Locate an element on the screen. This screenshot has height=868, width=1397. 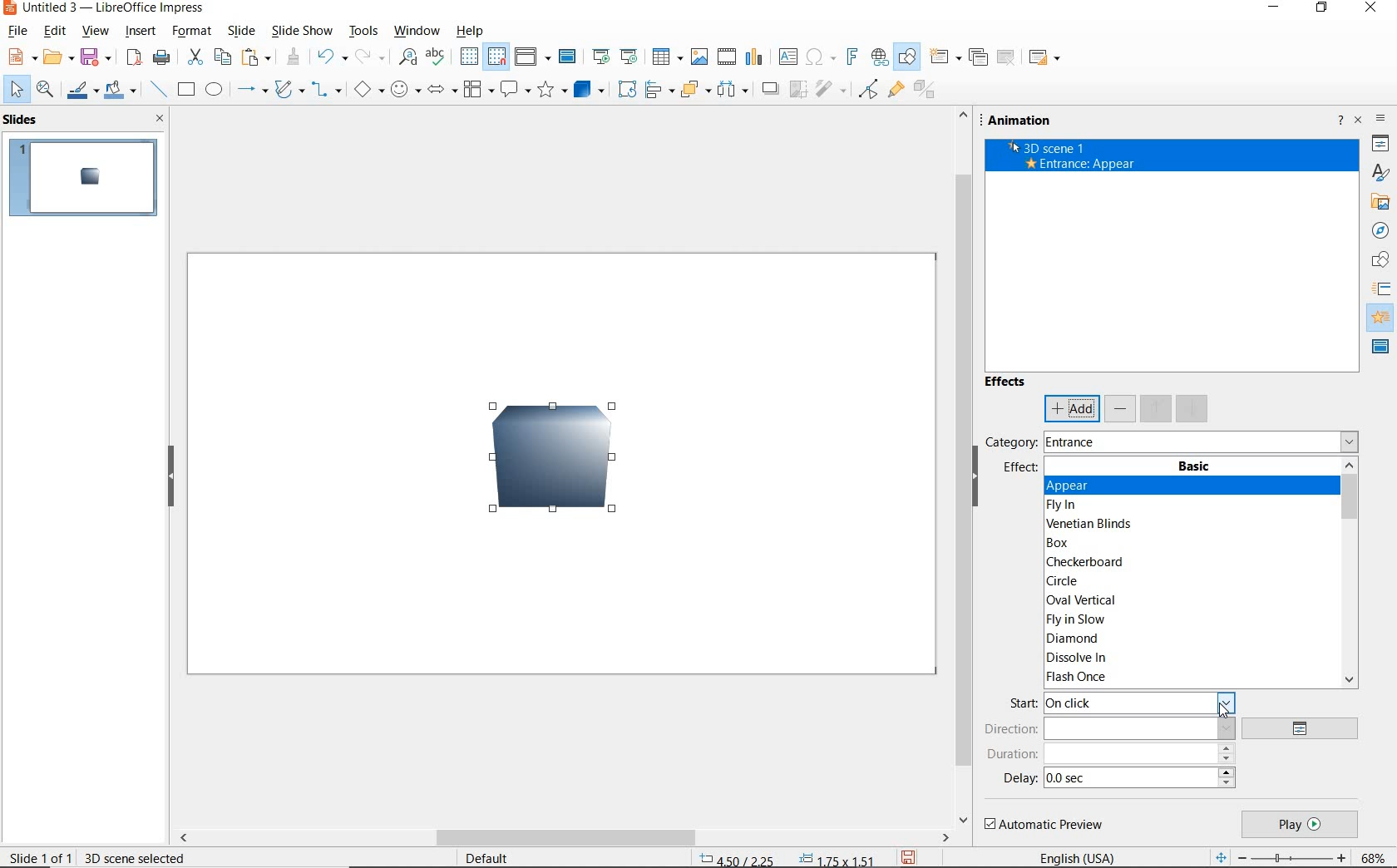
new is located at coordinates (22, 57).